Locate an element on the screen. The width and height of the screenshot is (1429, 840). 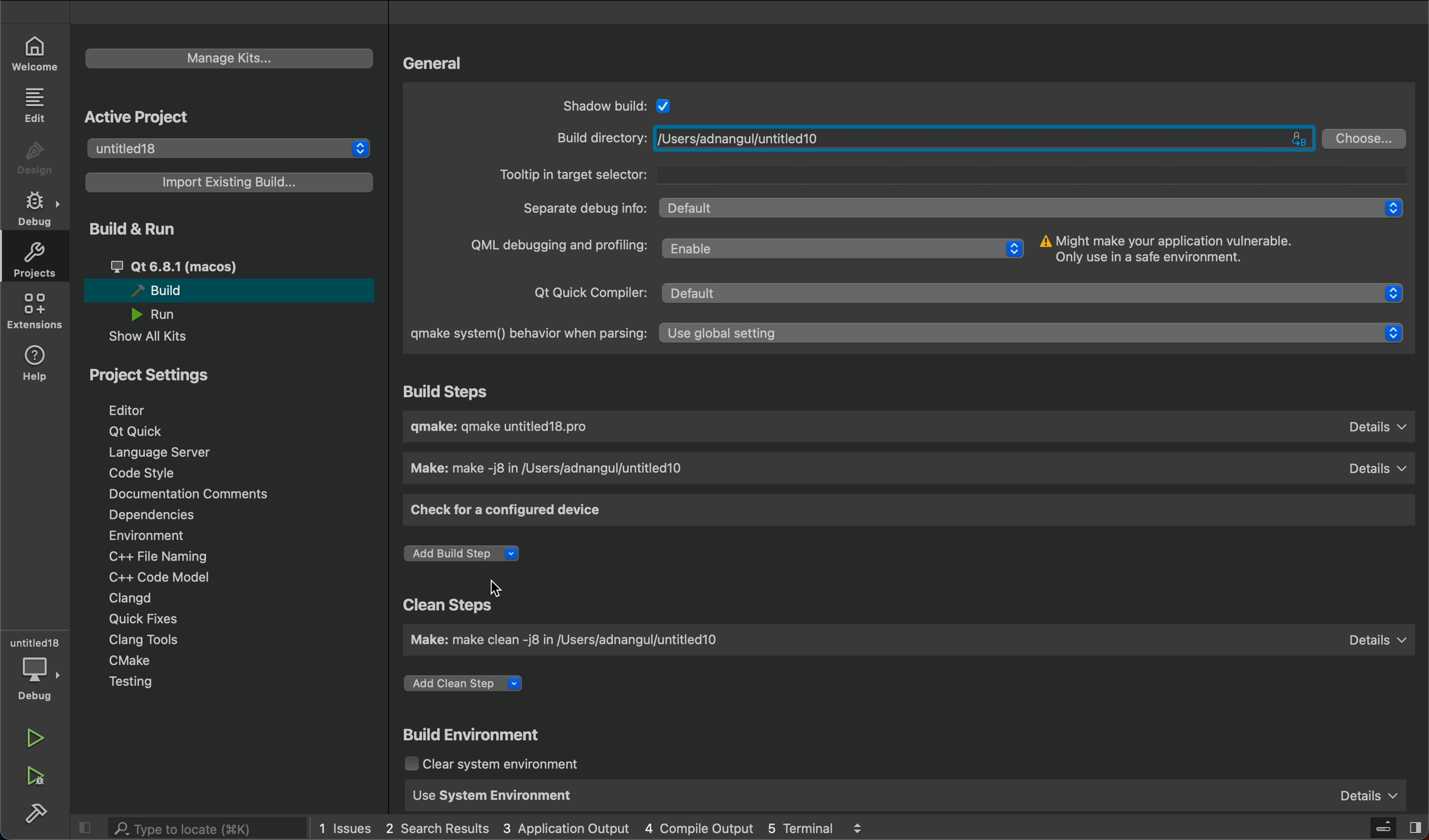
search bar is located at coordinates (197, 828).